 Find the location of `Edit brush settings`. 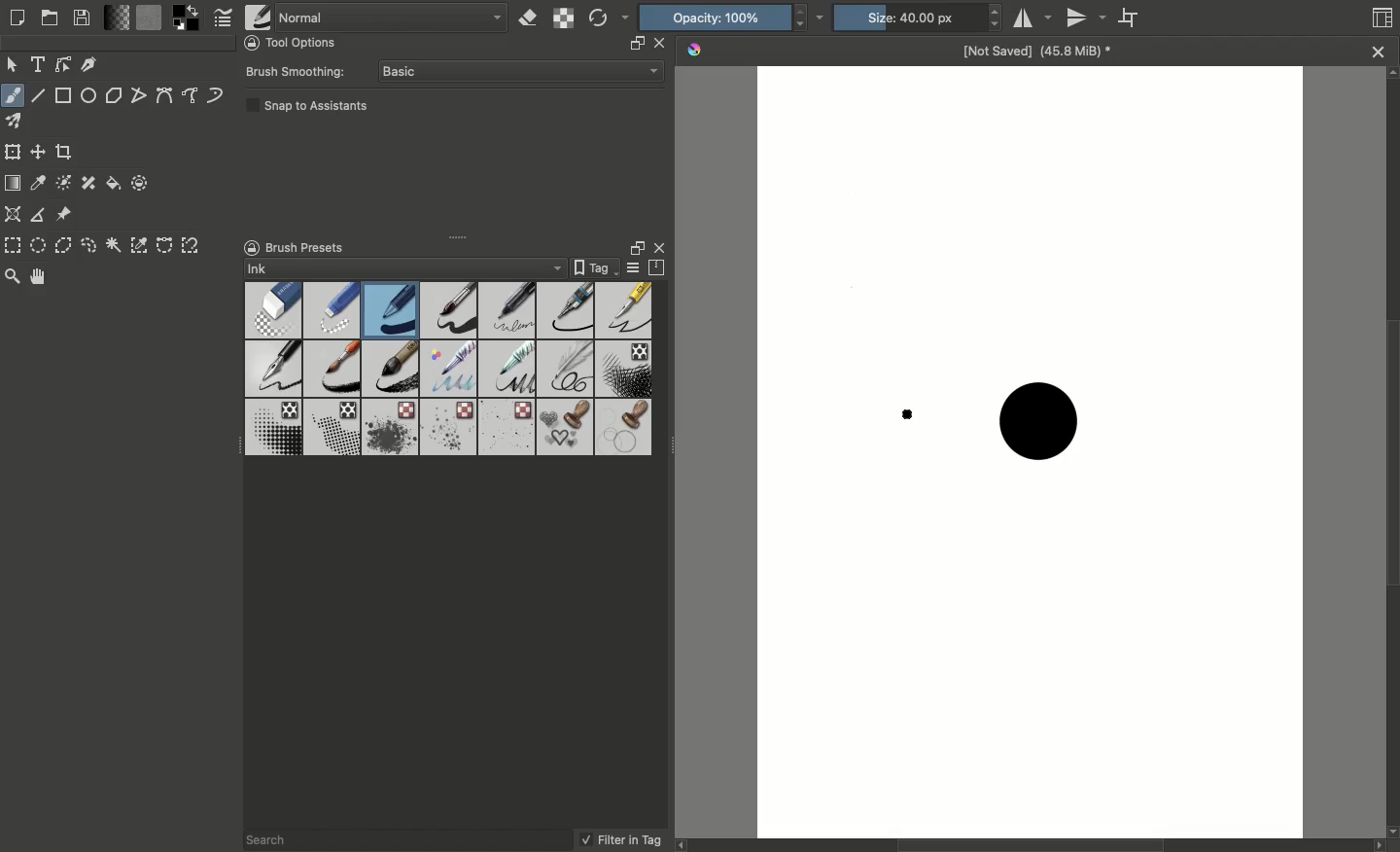

Edit brush settings is located at coordinates (227, 18).